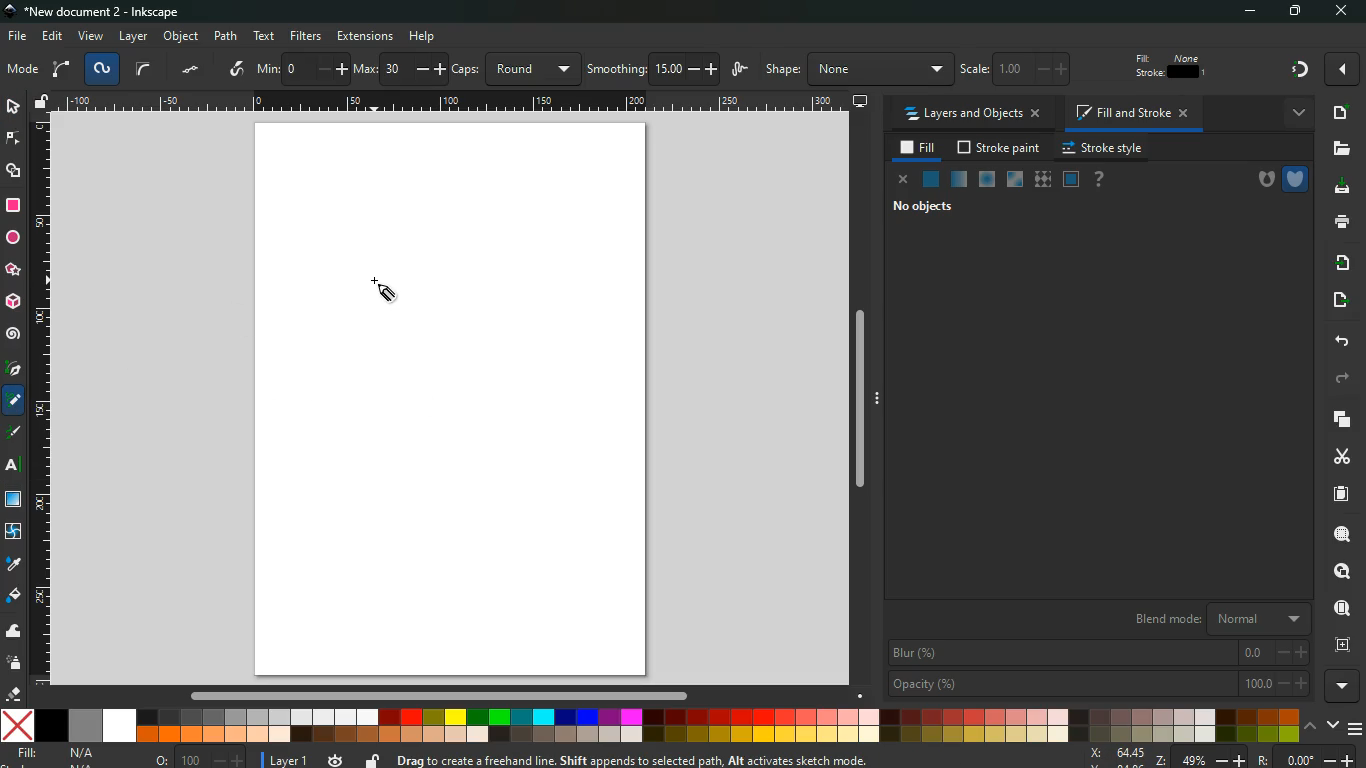 Image resolution: width=1366 pixels, height=768 pixels. I want to click on ice, so click(987, 178).